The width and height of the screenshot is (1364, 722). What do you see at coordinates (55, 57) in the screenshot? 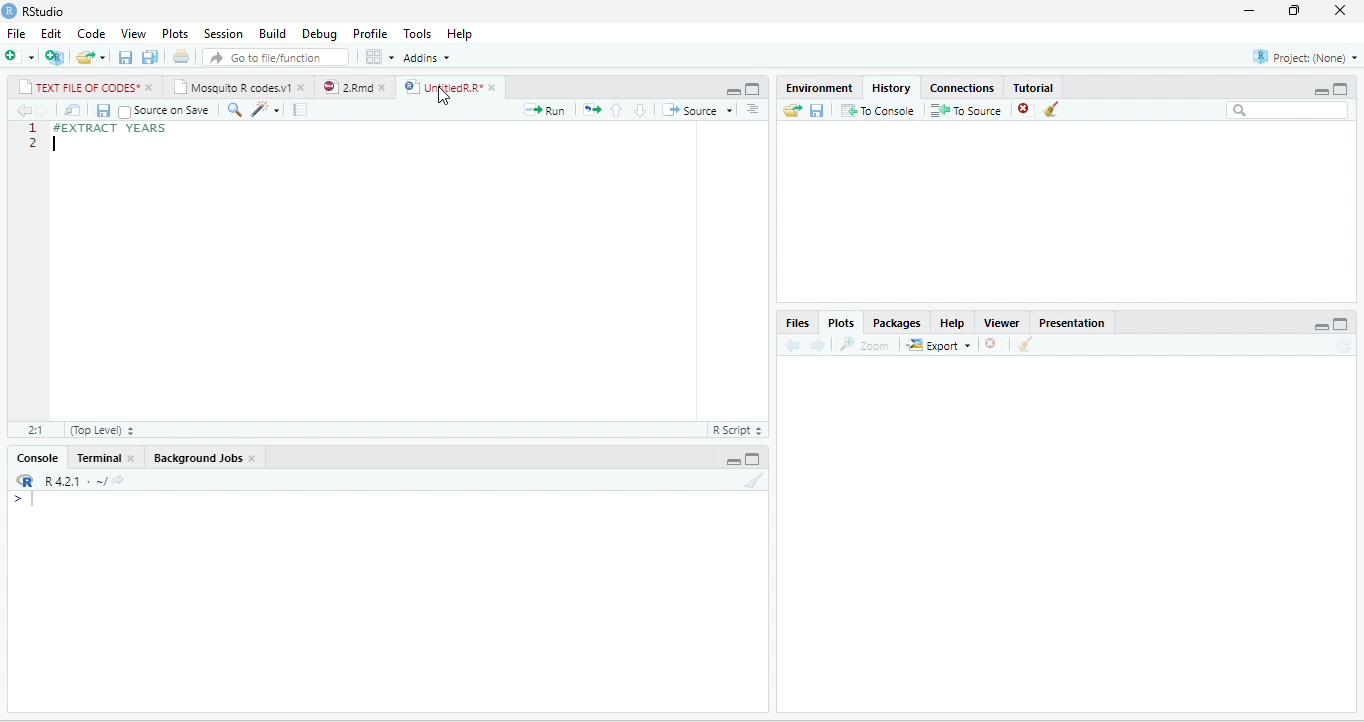
I see `new project` at bounding box center [55, 57].